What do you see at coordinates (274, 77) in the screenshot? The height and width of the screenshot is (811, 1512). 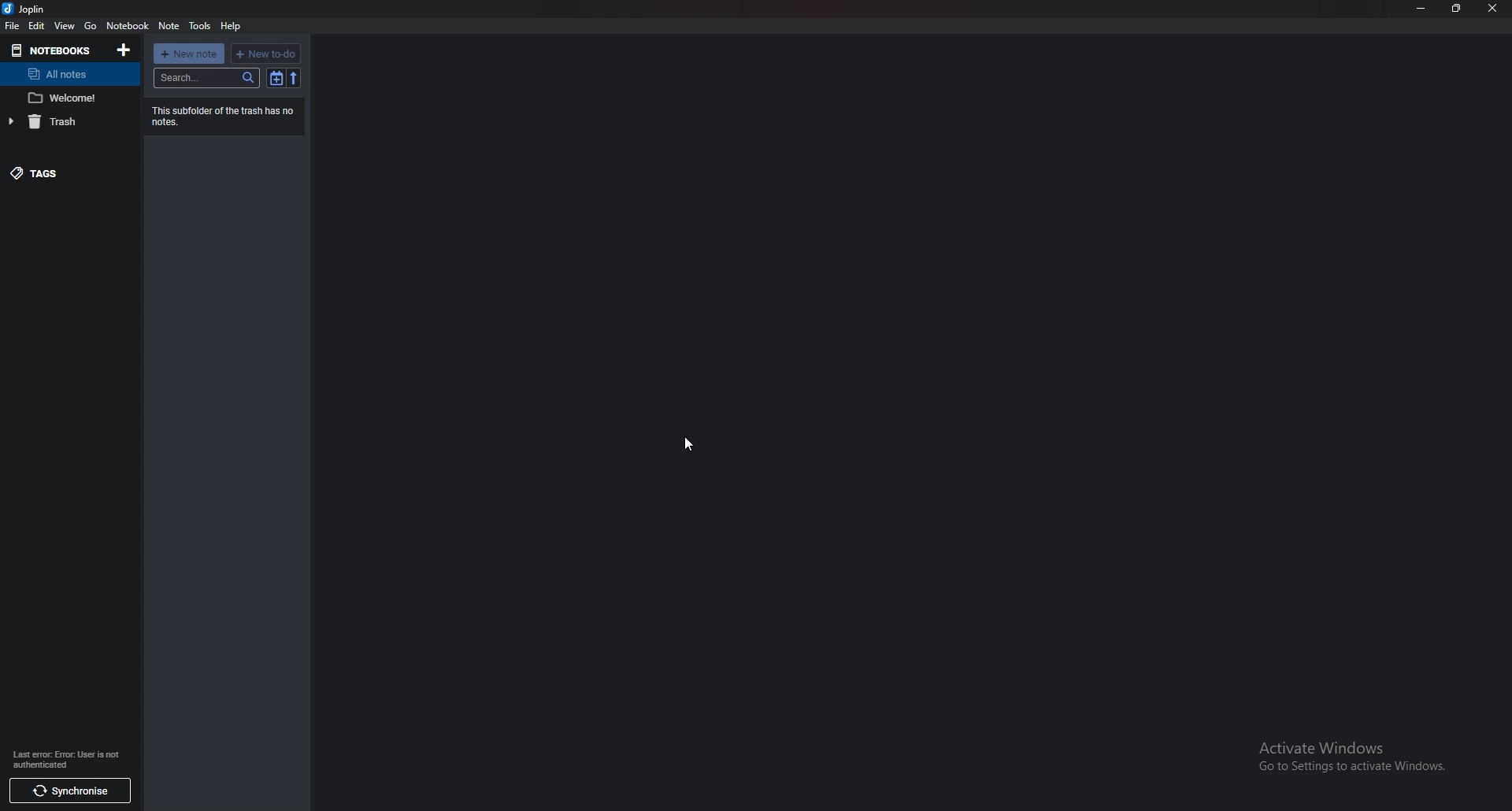 I see `toggle sort` at bounding box center [274, 77].